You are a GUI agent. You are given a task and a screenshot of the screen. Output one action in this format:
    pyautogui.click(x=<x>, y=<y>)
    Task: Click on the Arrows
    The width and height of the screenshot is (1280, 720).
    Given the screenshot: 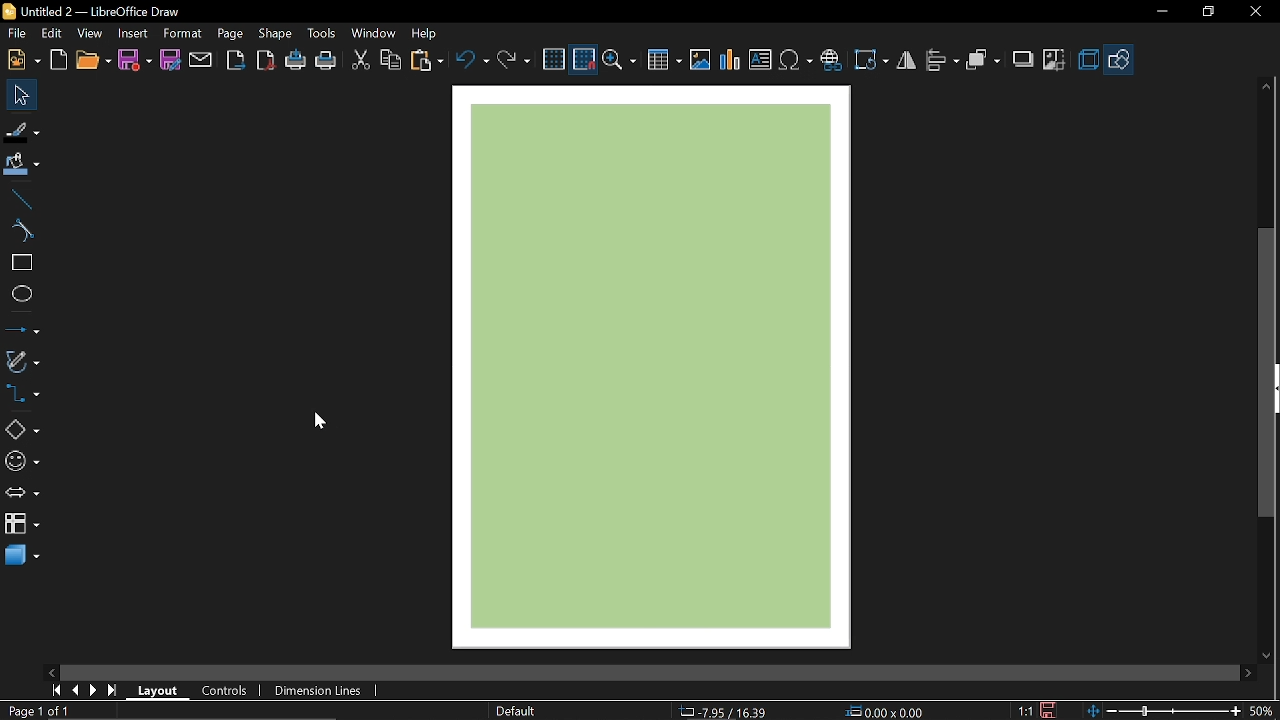 What is the action you would take?
    pyautogui.click(x=22, y=492)
    